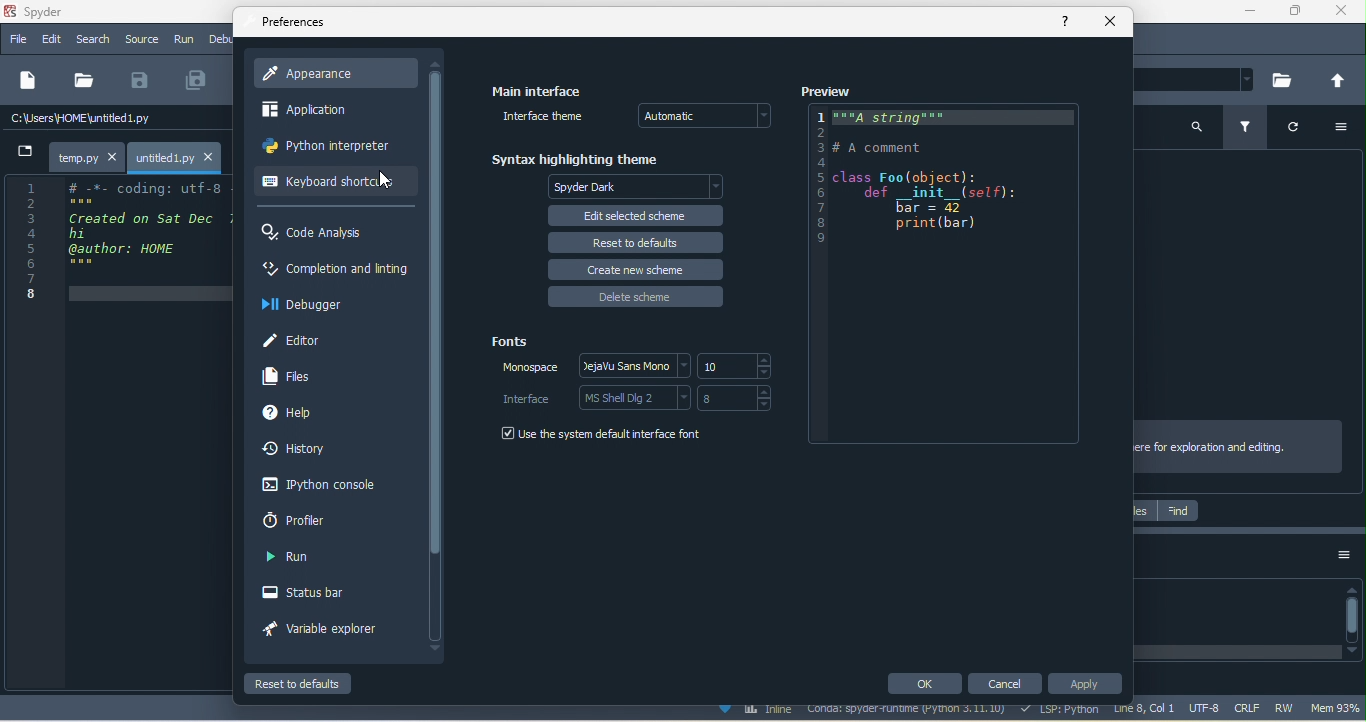 Image resolution: width=1366 pixels, height=722 pixels. What do you see at coordinates (1286, 80) in the screenshot?
I see `browse` at bounding box center [1286, 80].